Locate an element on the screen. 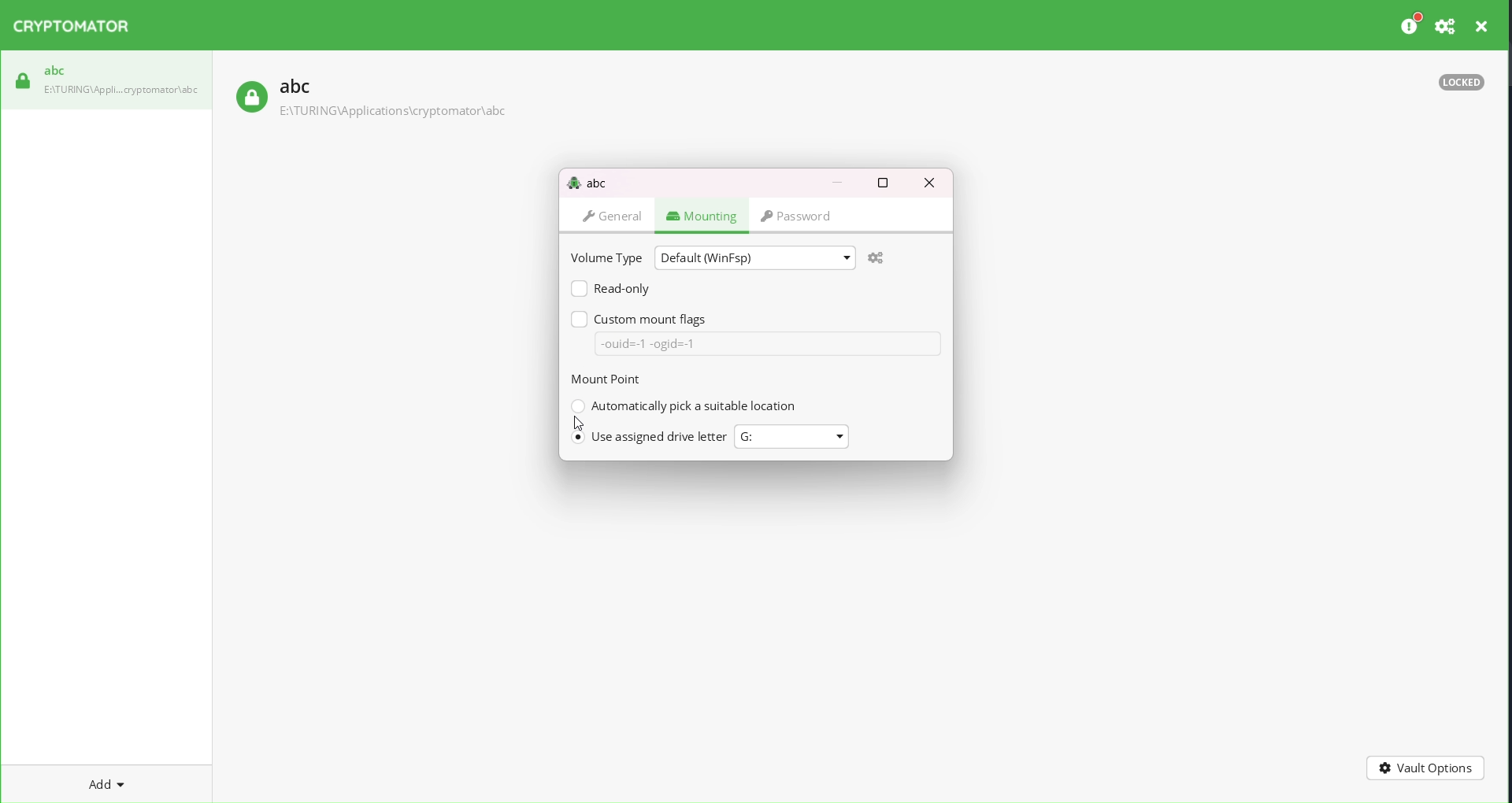 This screenshot has height=803, width=1512. minimize is located at coordinates (836, 182).